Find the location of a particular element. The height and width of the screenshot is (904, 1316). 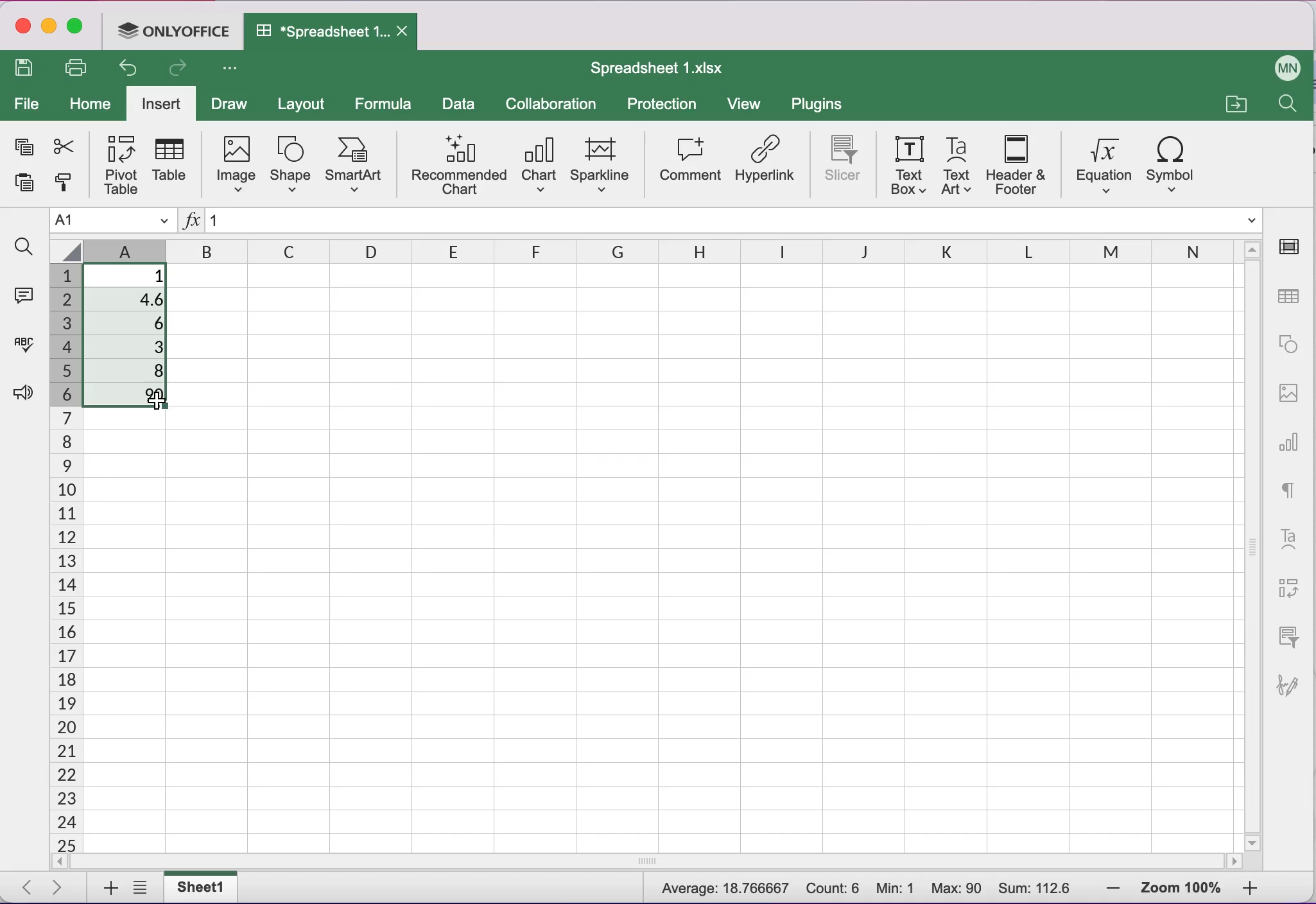

file is located at coordinates (30, 104).